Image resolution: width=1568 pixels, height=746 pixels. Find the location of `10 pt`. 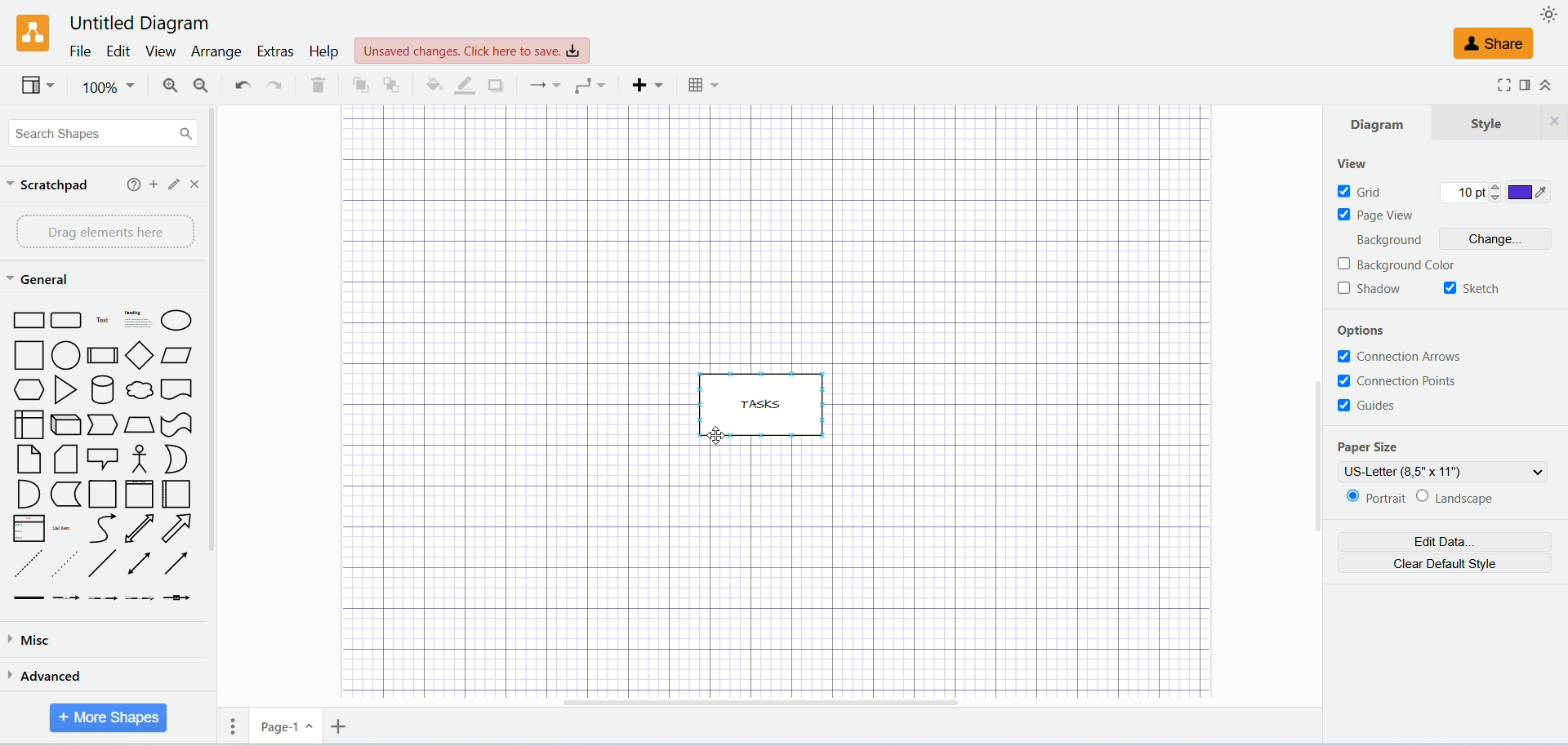

10 pt is located at coordinates (1477, 195).